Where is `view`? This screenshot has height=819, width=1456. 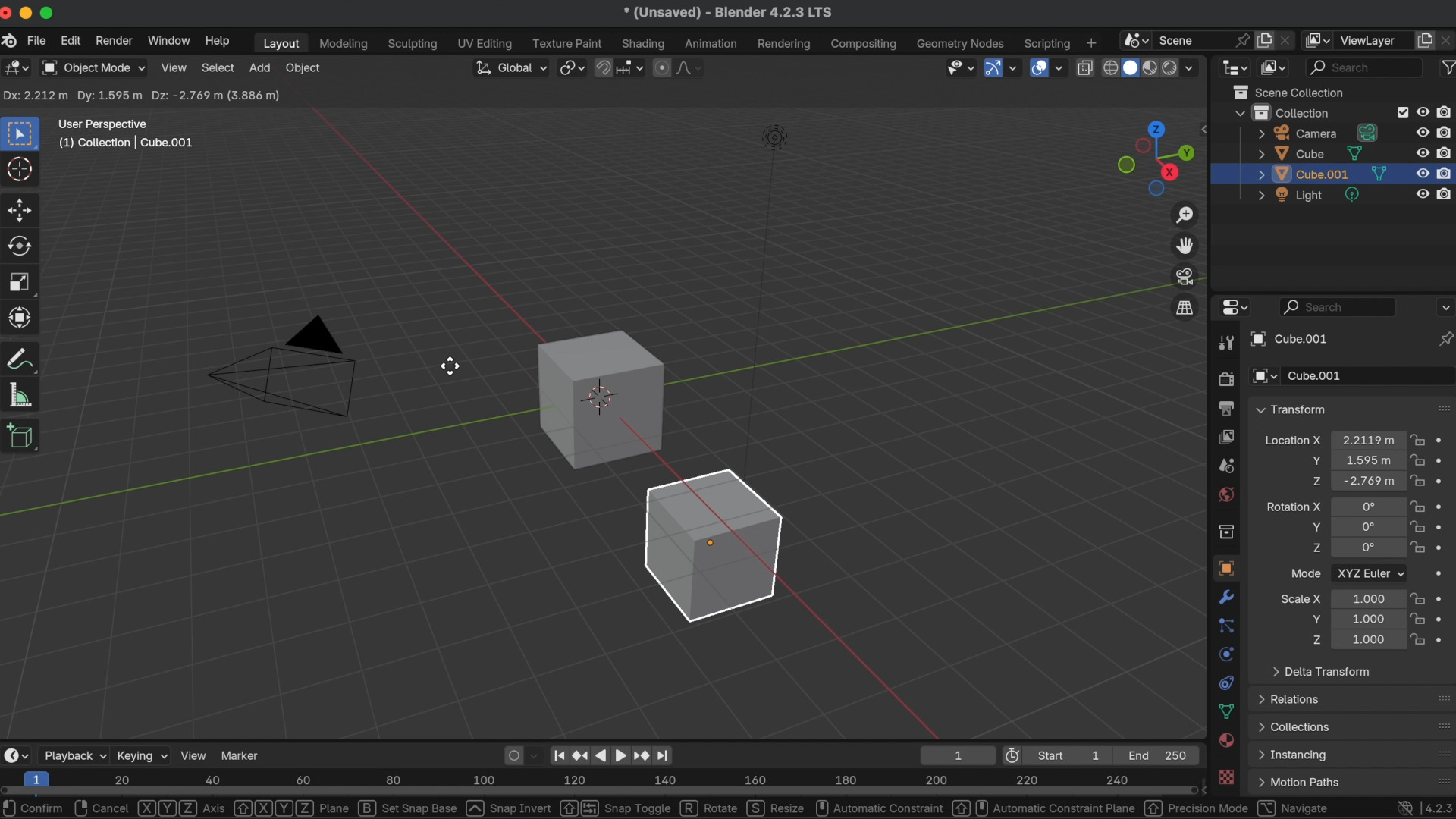
view is located at coordinates (194, 755).